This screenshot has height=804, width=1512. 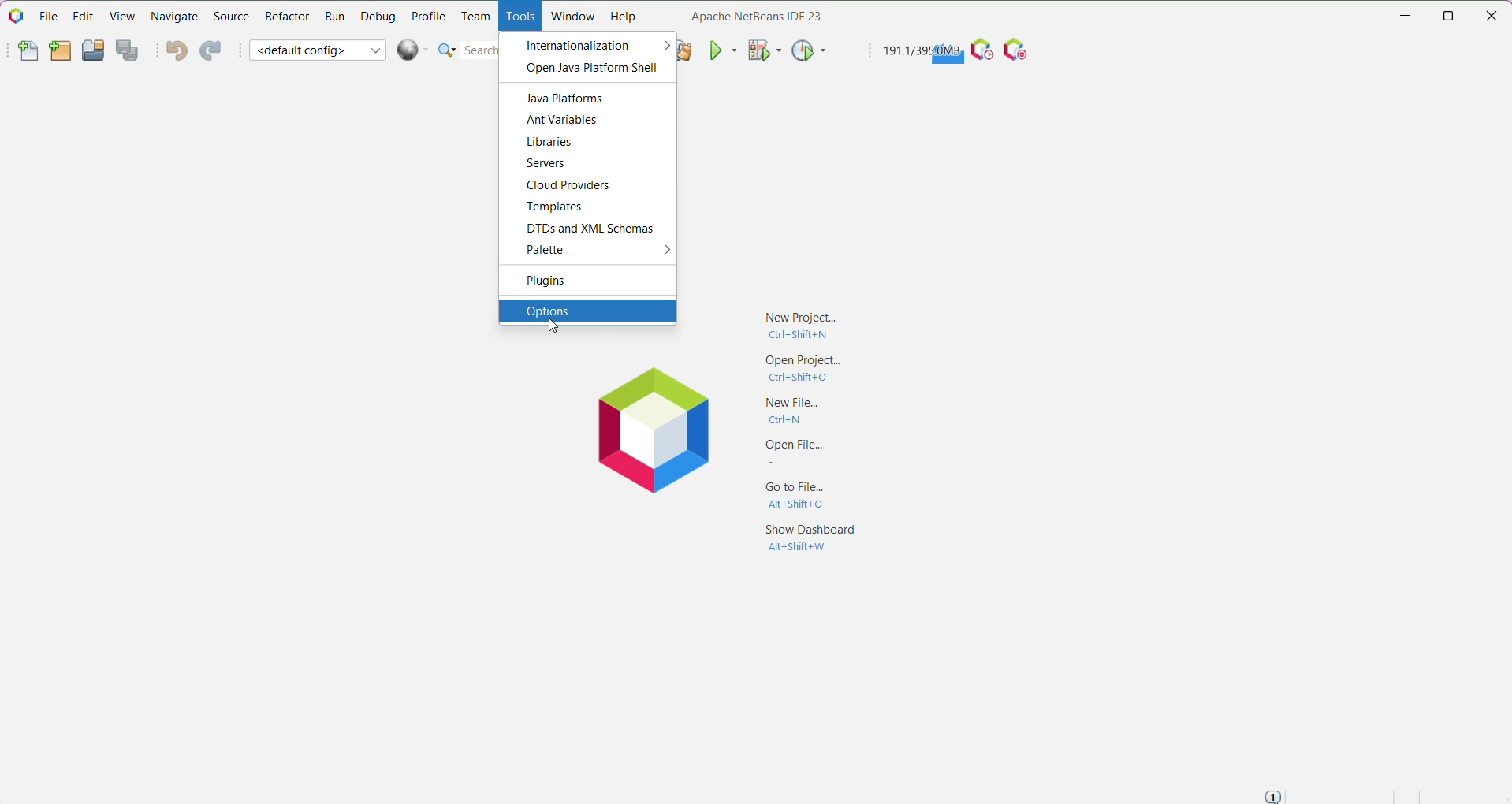 I want to click on Palette, so click(x=545, y=250).